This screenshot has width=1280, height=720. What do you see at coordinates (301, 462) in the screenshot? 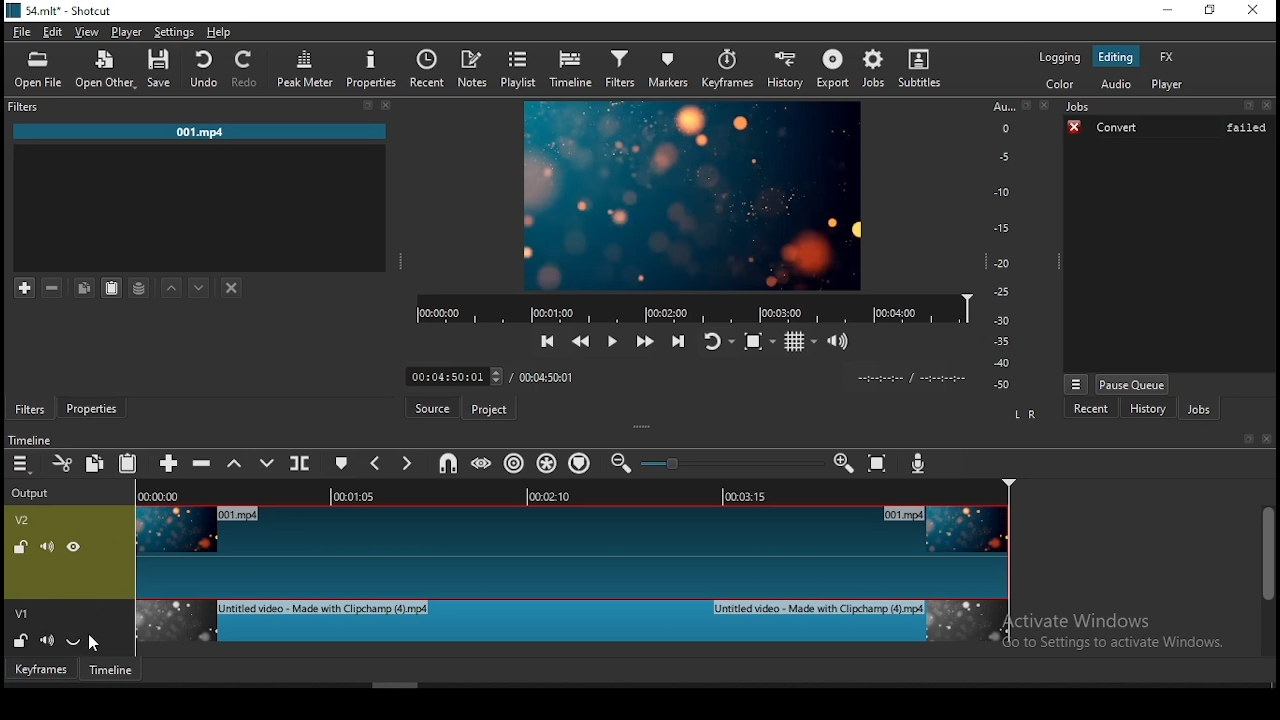
I see `split at playhead` at bounding box center [301, 462].